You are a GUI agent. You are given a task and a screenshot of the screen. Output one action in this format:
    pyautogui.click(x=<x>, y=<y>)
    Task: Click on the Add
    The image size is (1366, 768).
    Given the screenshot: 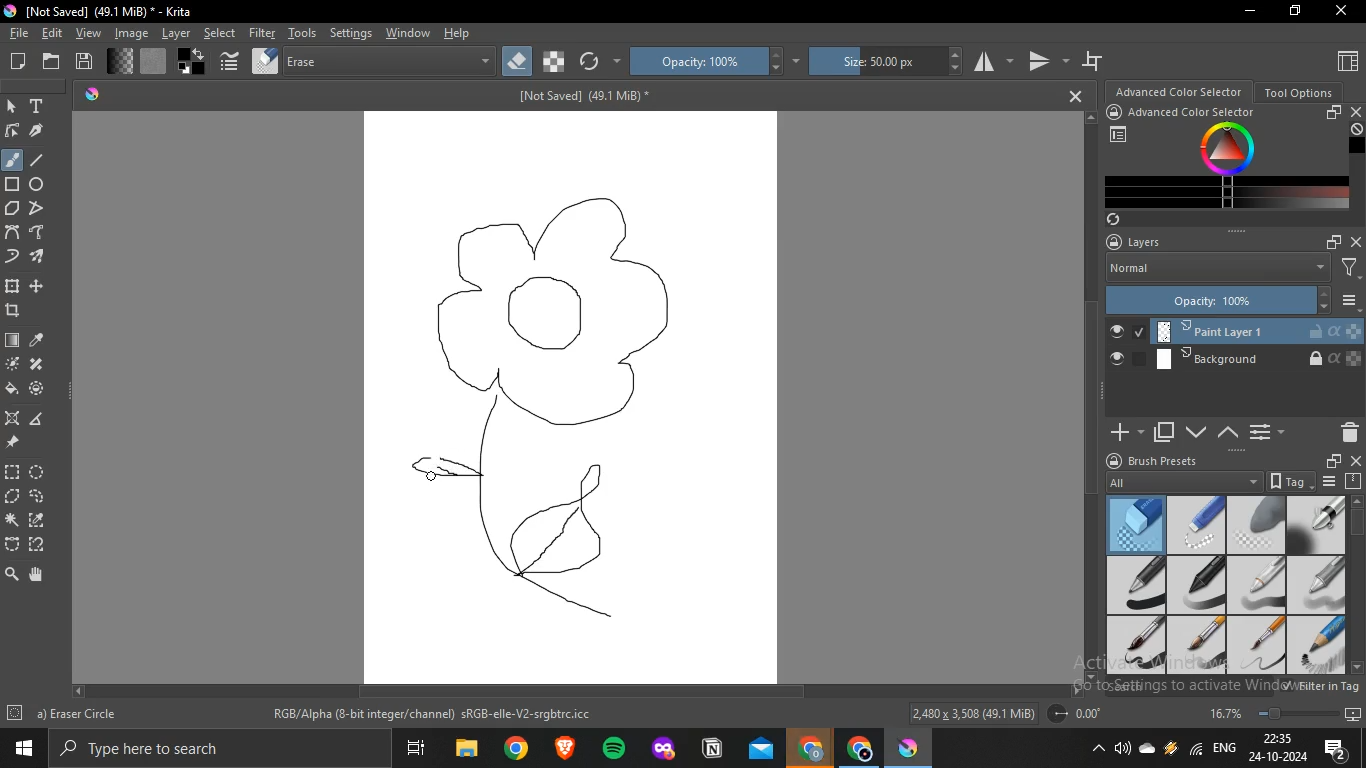 What is the action you would take?
    pyautogui.click(x=1123, y=426)
    